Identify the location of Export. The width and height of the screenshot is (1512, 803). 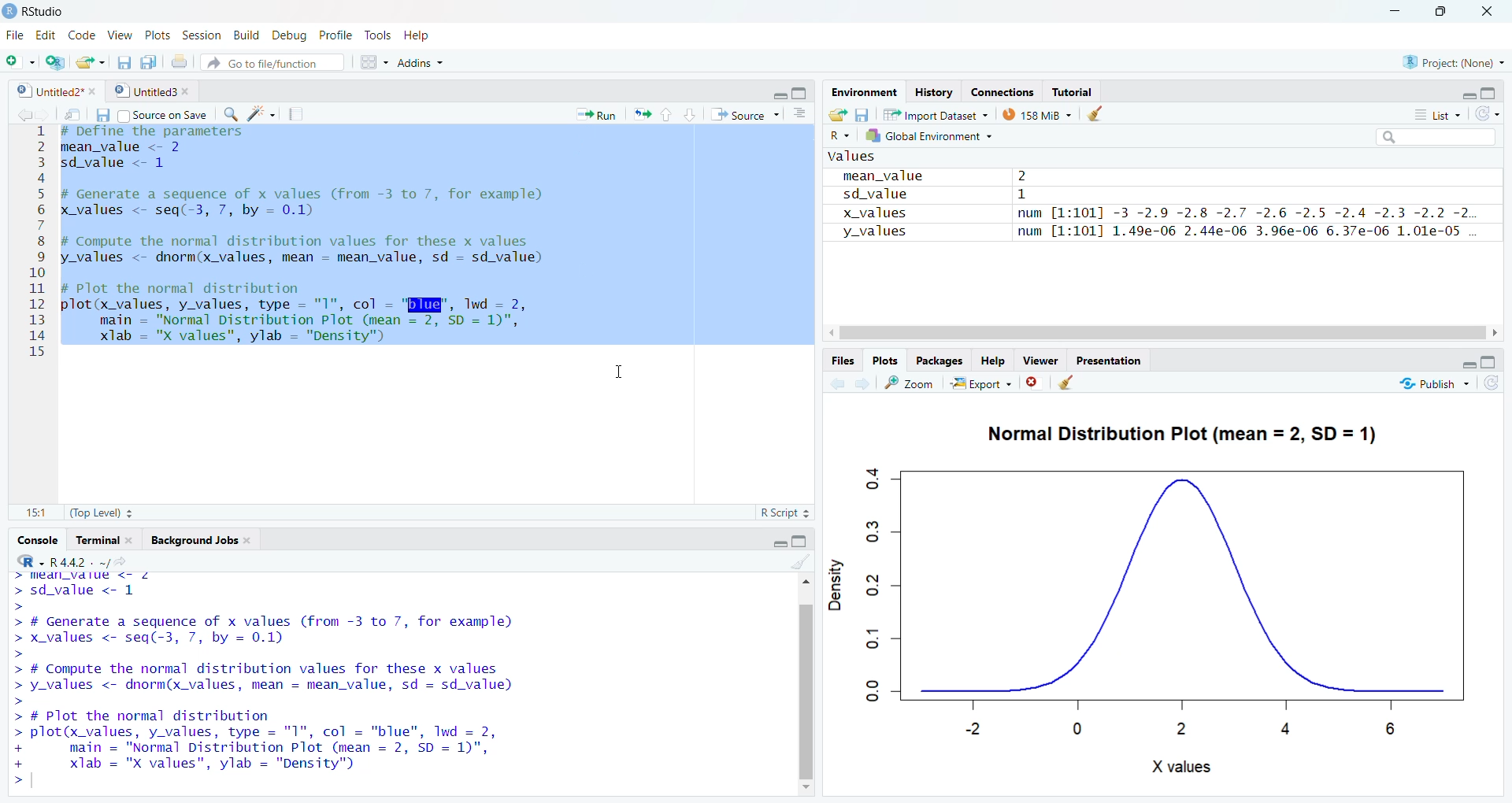
(984, 381).